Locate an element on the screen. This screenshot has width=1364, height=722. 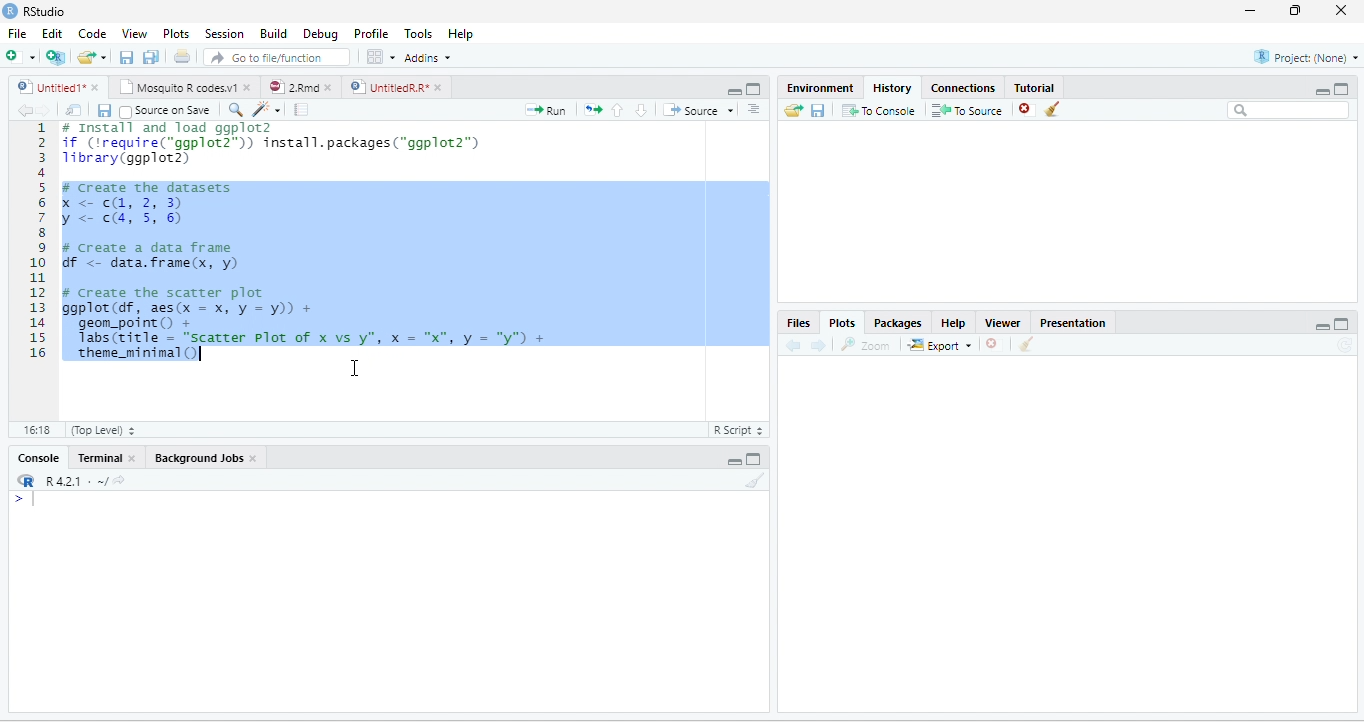
Source is located at coordinates (697, 110).